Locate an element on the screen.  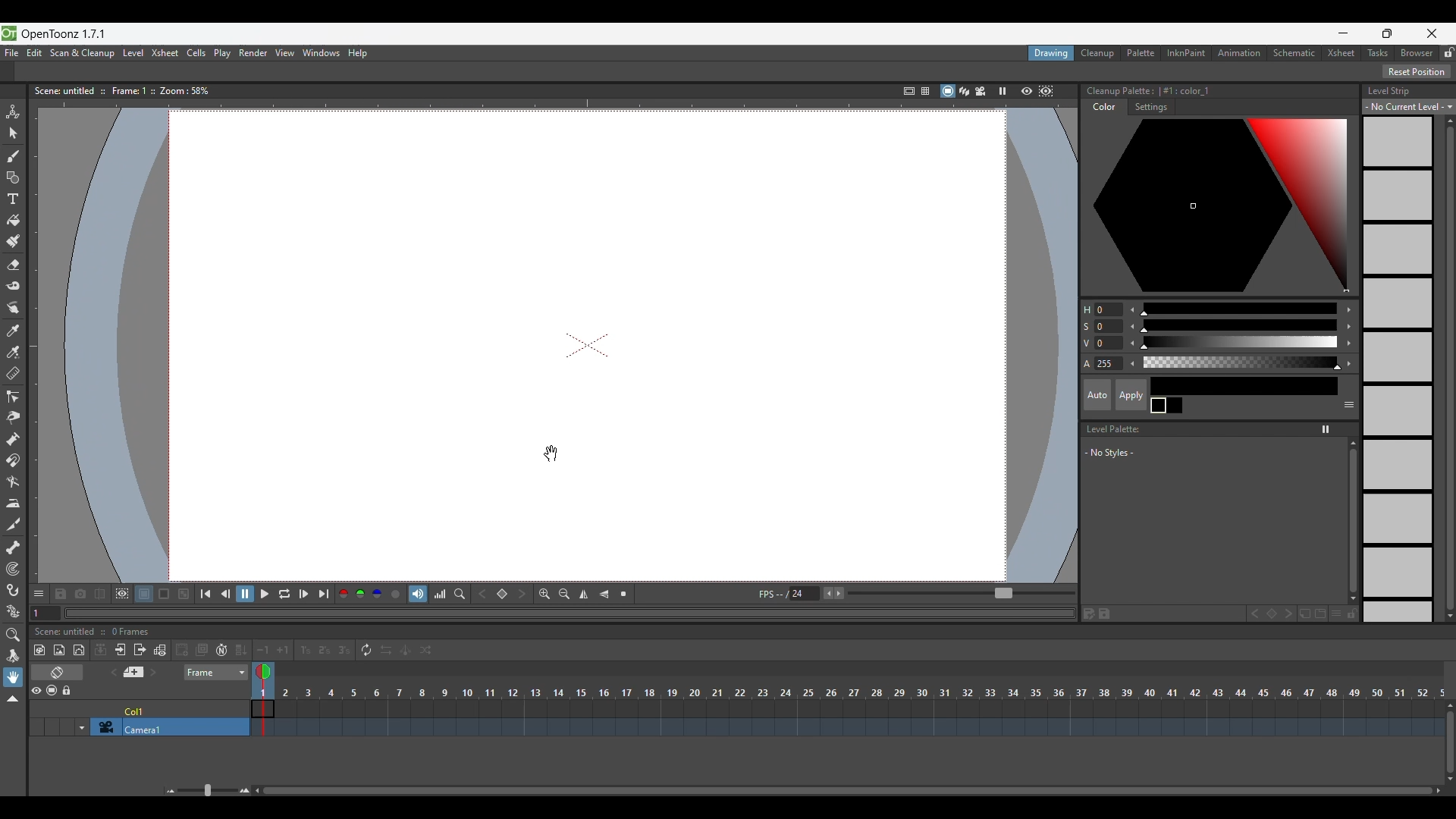
Next memo is located at coordinates (152, 673).